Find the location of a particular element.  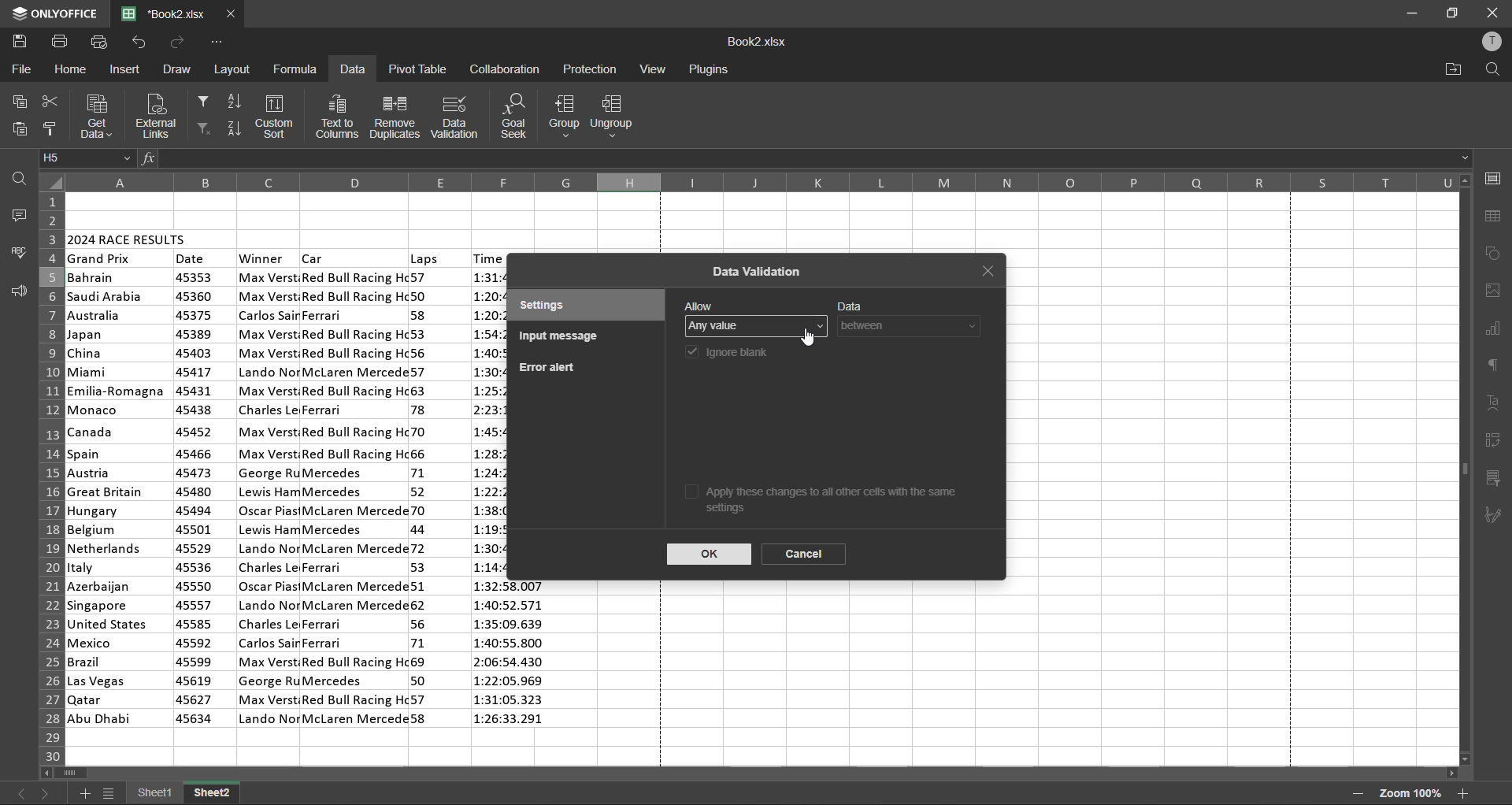

sheet names is located at coordinates (184, 795).